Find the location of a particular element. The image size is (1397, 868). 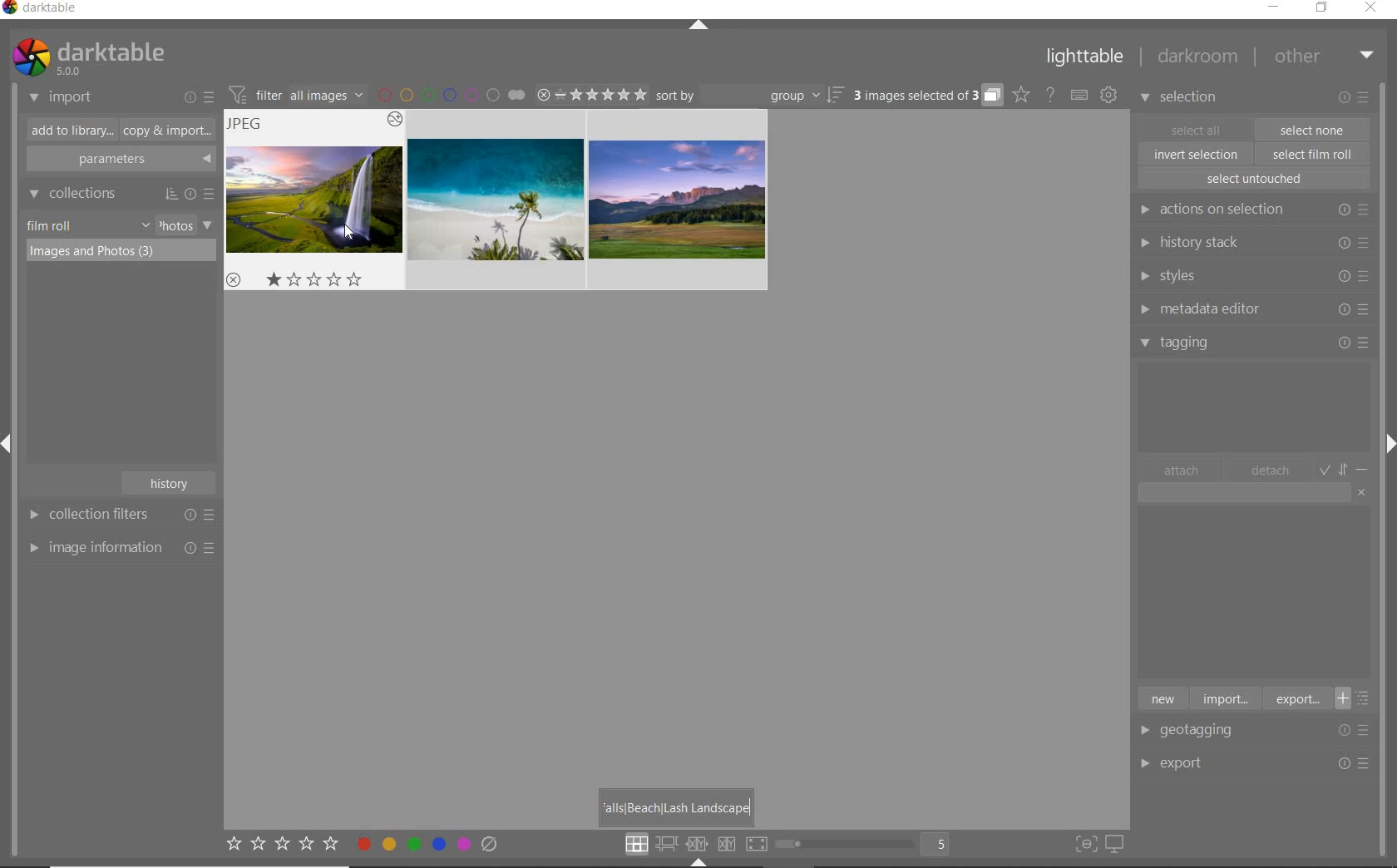

import or presets & preferences is located at coordinates (199, 96).